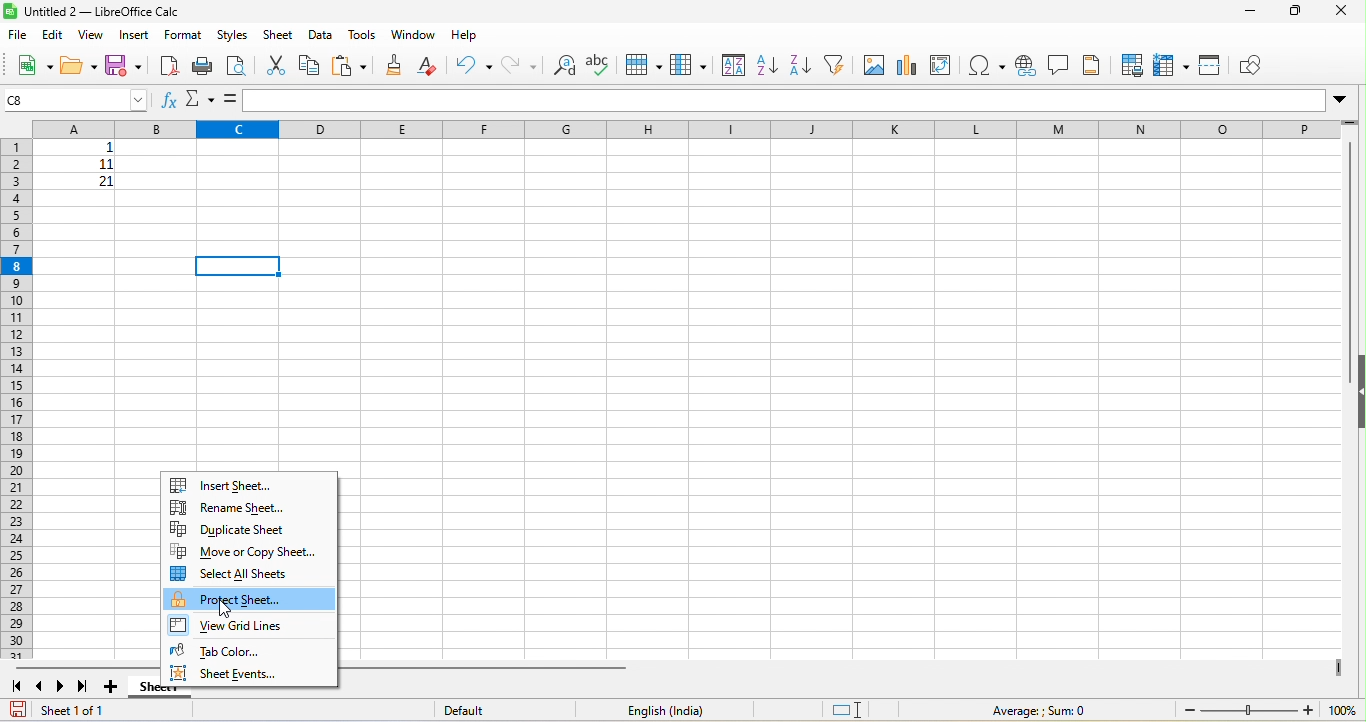 The height and width of the screenshot is (722, 1366). Describe the element at coordinates (236, 65) in the screenshot. I see `print preview` at that location.